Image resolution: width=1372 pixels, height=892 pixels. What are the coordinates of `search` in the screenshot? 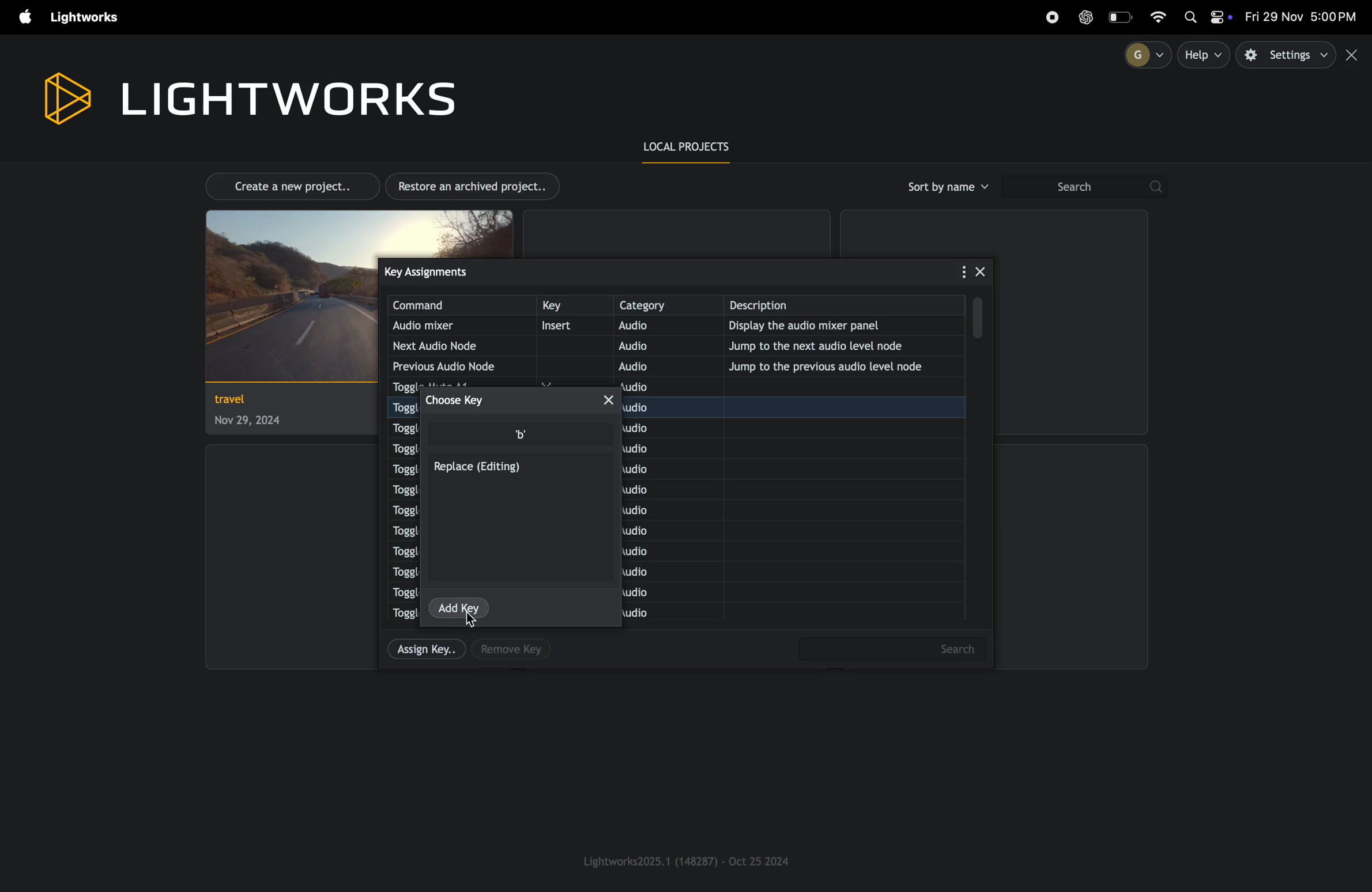 It's located at (1083, 187).